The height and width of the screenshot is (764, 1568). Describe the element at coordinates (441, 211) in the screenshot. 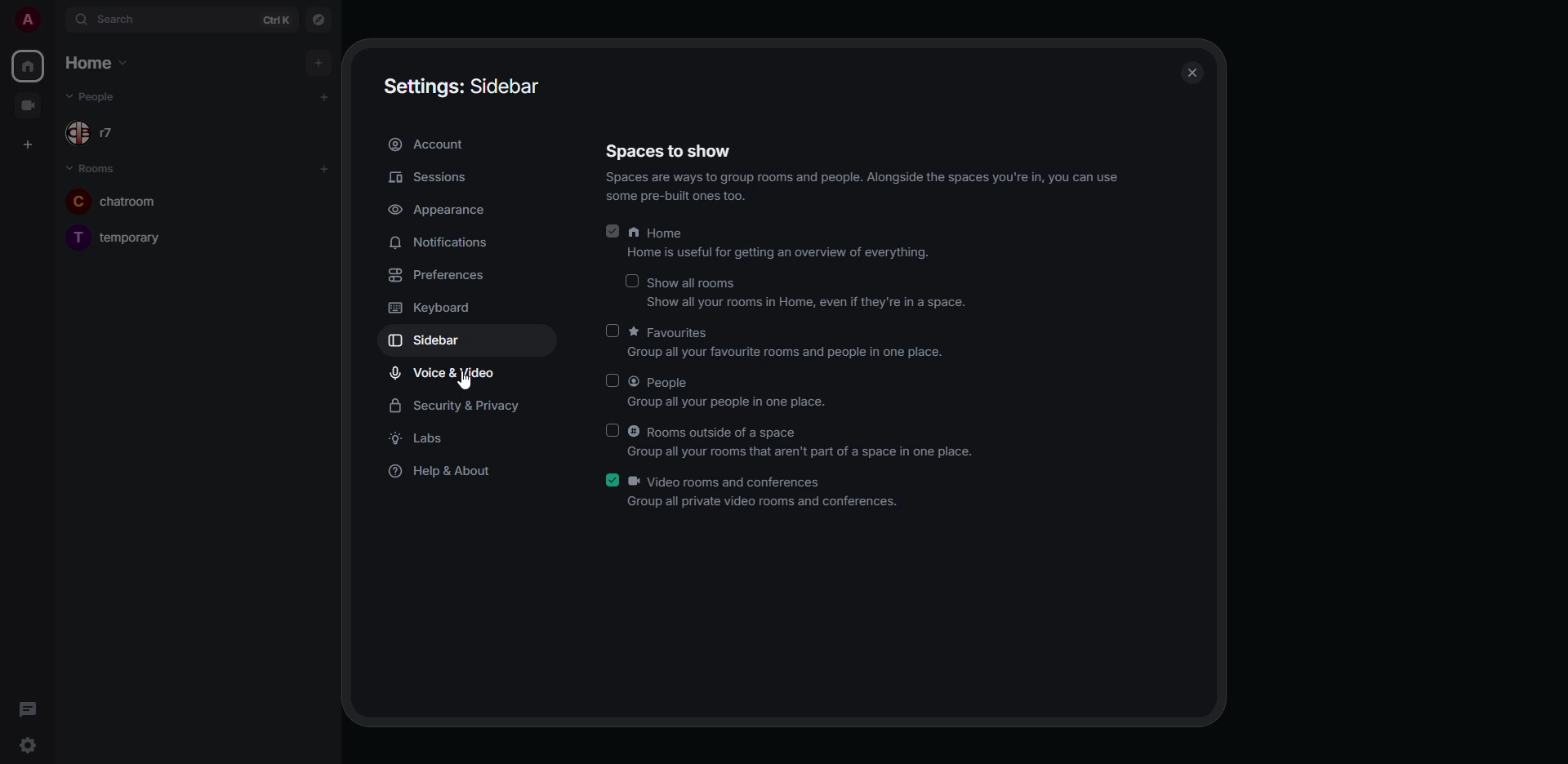

I see `appearance` at that location.